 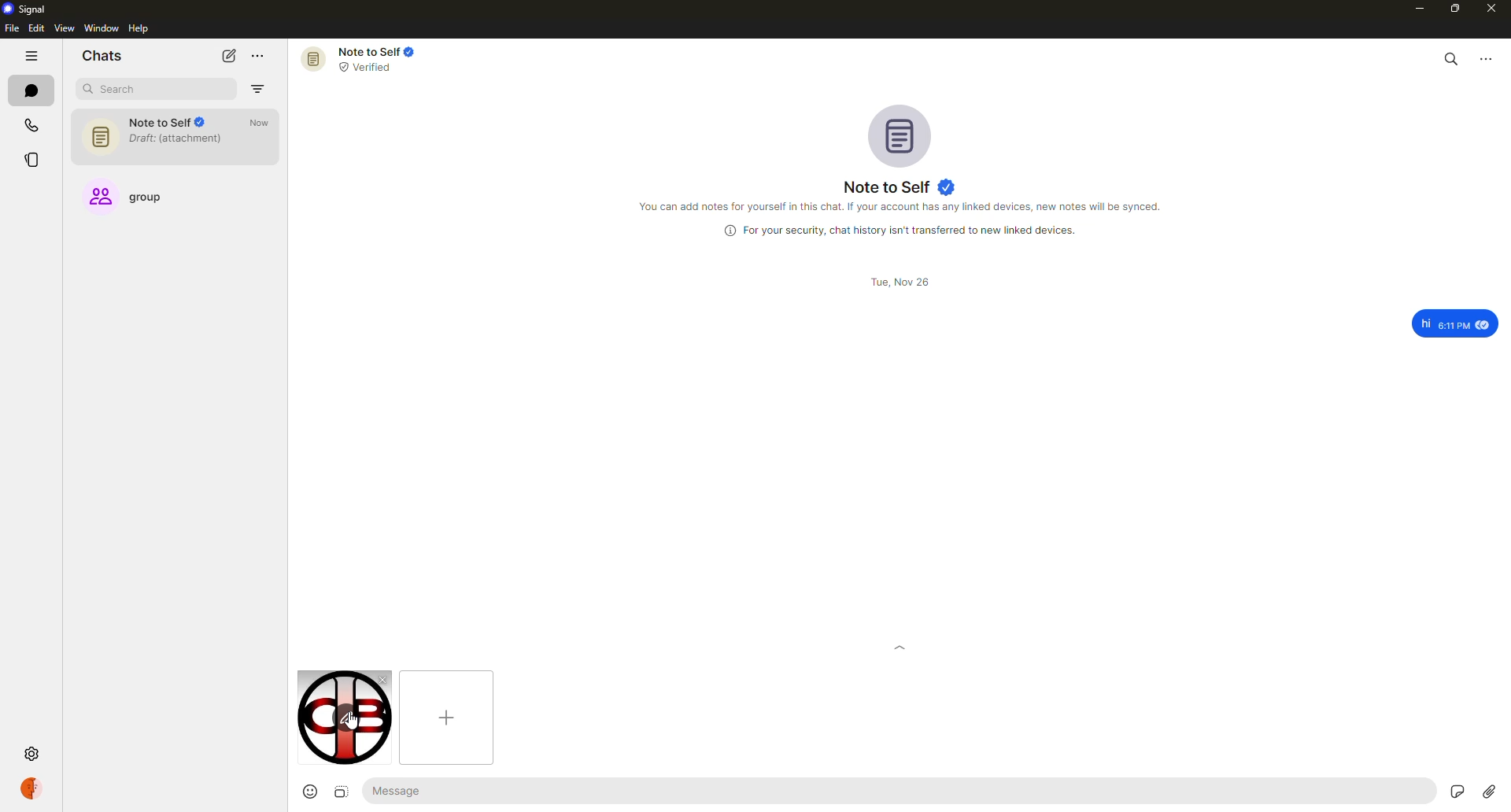 I want to click on filter, so click(x=260, y=90).